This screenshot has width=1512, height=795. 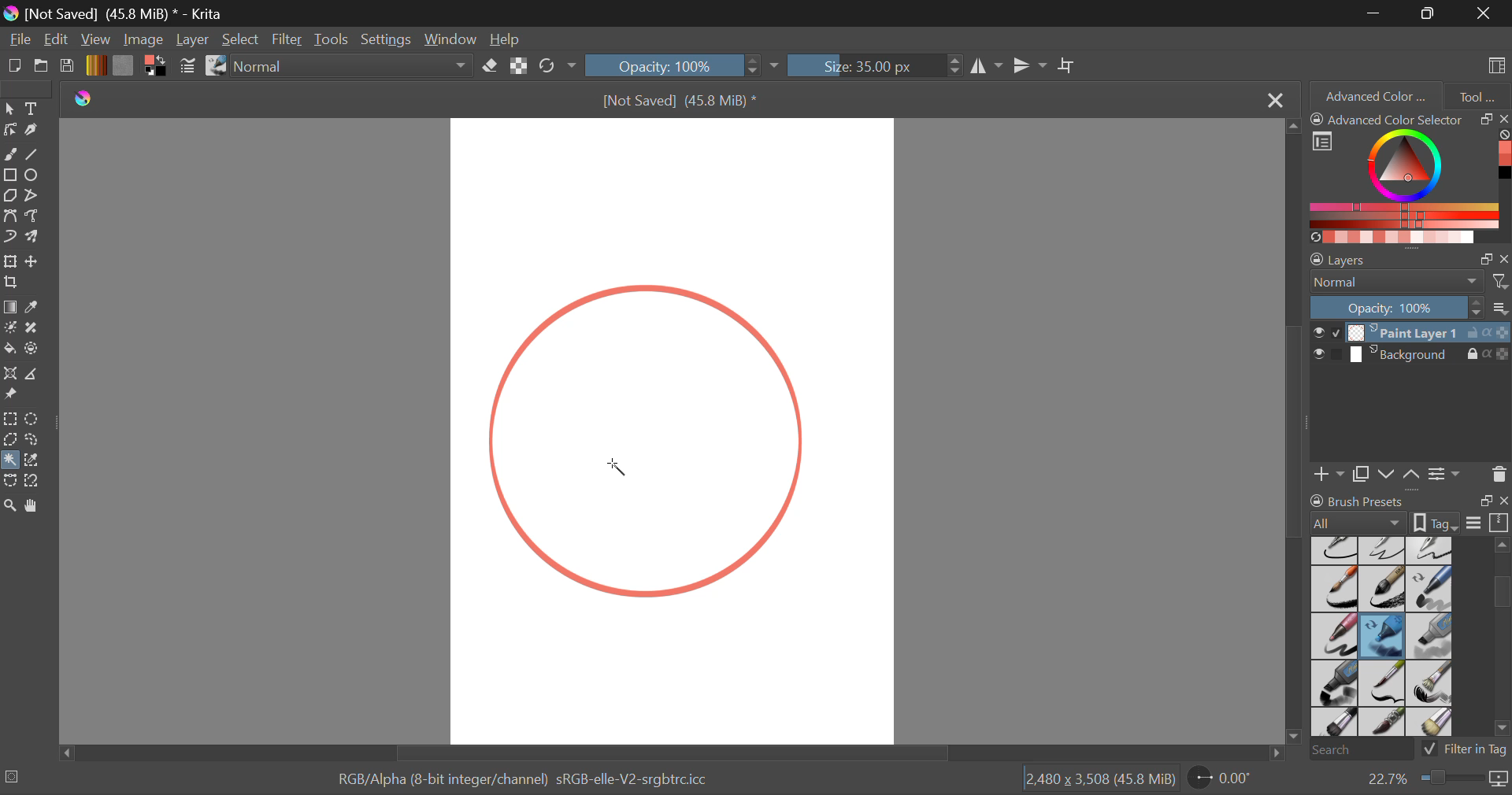 What do you see at coordinates (1332, 590) in the screenshot?
I see `Ink-7 Brush Rough` at bounding box center [1332, 590].